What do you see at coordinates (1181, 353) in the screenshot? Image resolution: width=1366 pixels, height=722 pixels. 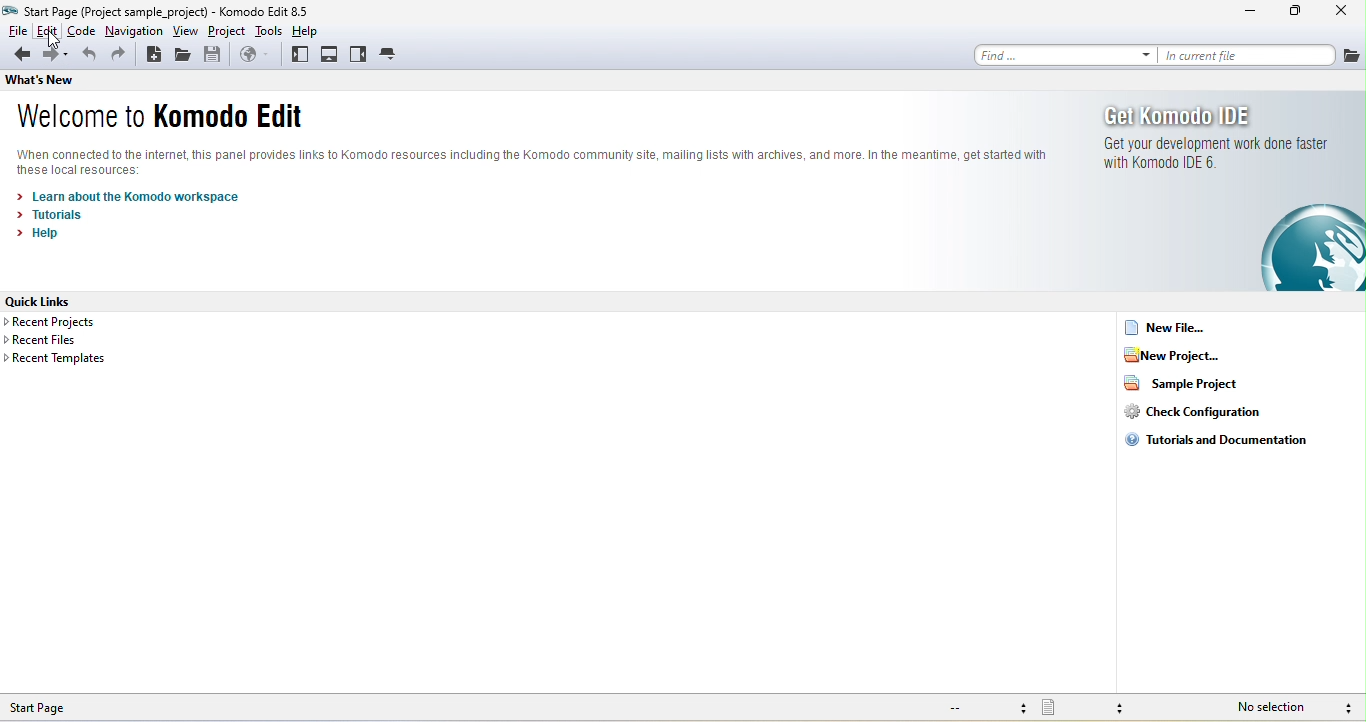 I see `new project` at bounding box center [1181, 353].